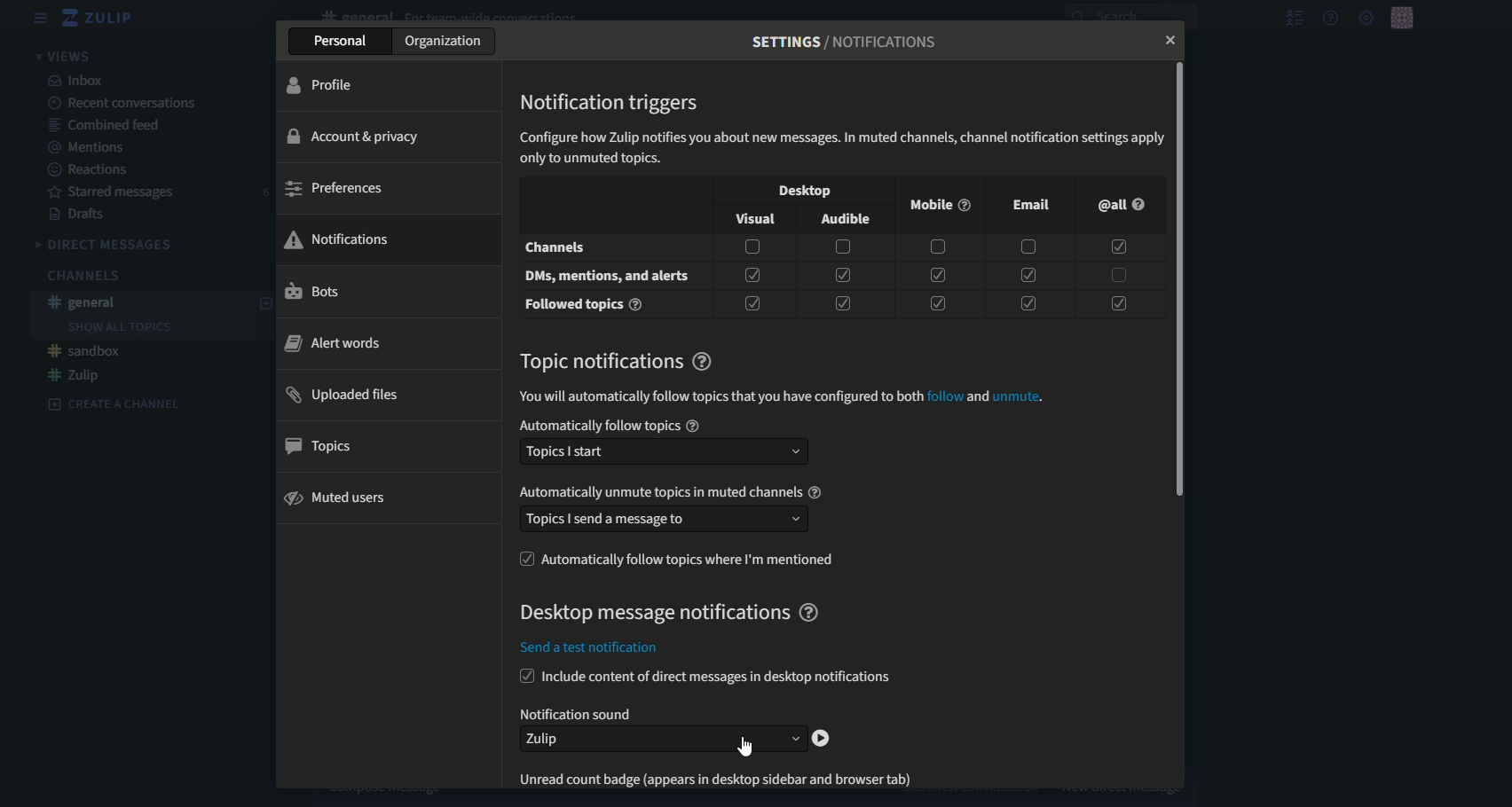  Describe the element at coordinates (77, 80) in the screenshot. I see `inbox` at that location.